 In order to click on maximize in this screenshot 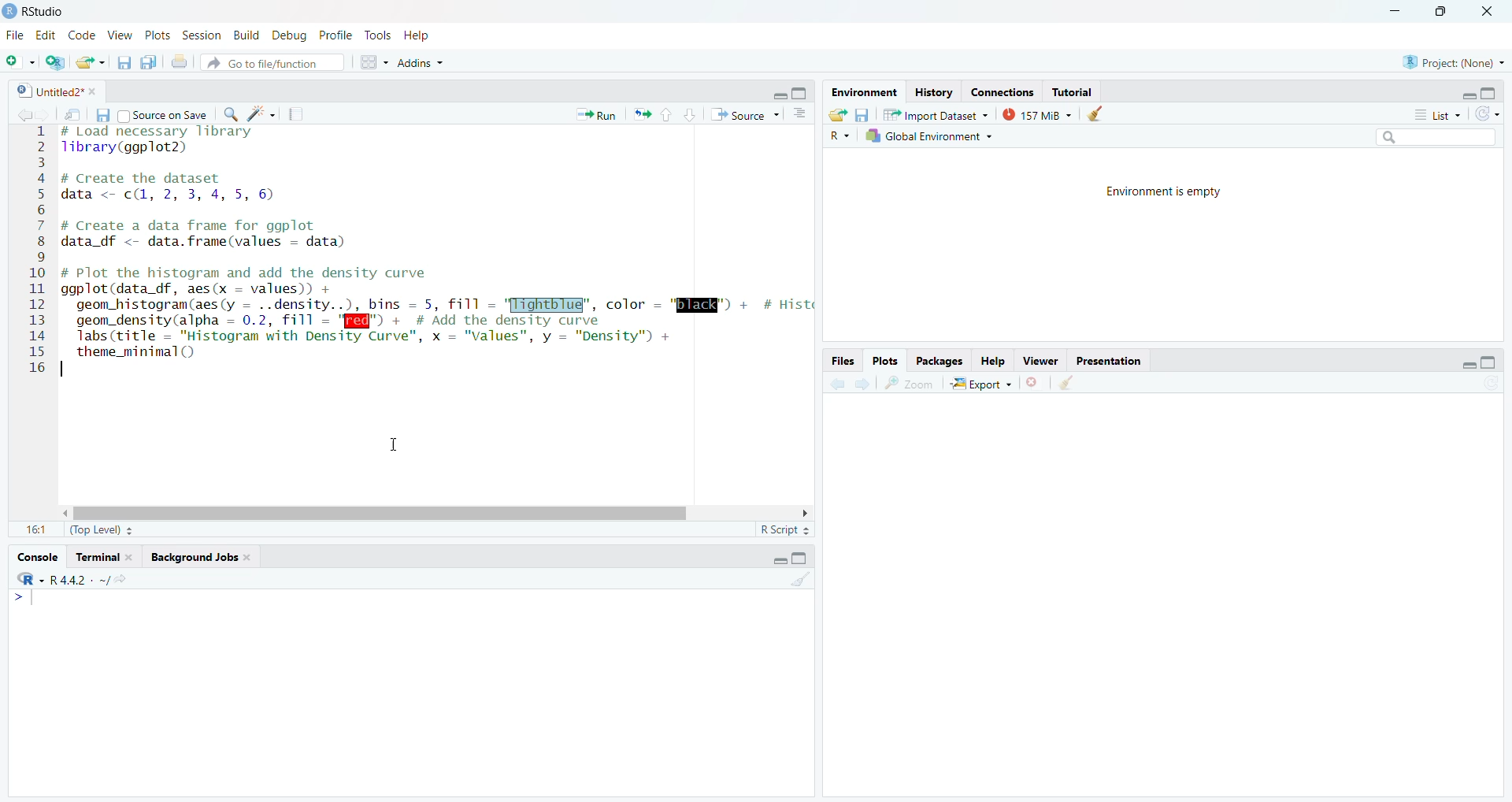, I will do `click(1490, 92)`.